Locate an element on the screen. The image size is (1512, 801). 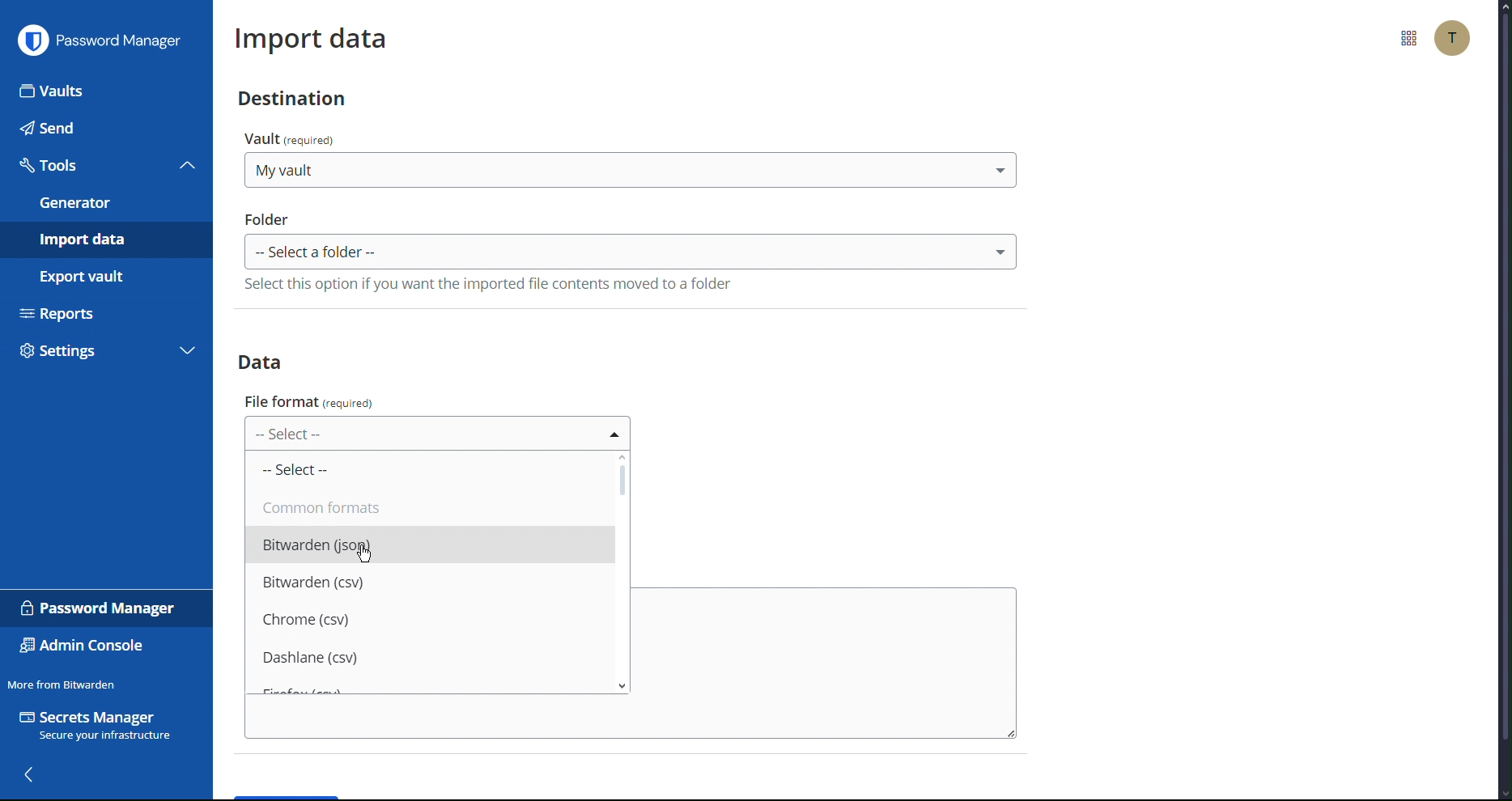
Generator is located at coordinates (104, 203).